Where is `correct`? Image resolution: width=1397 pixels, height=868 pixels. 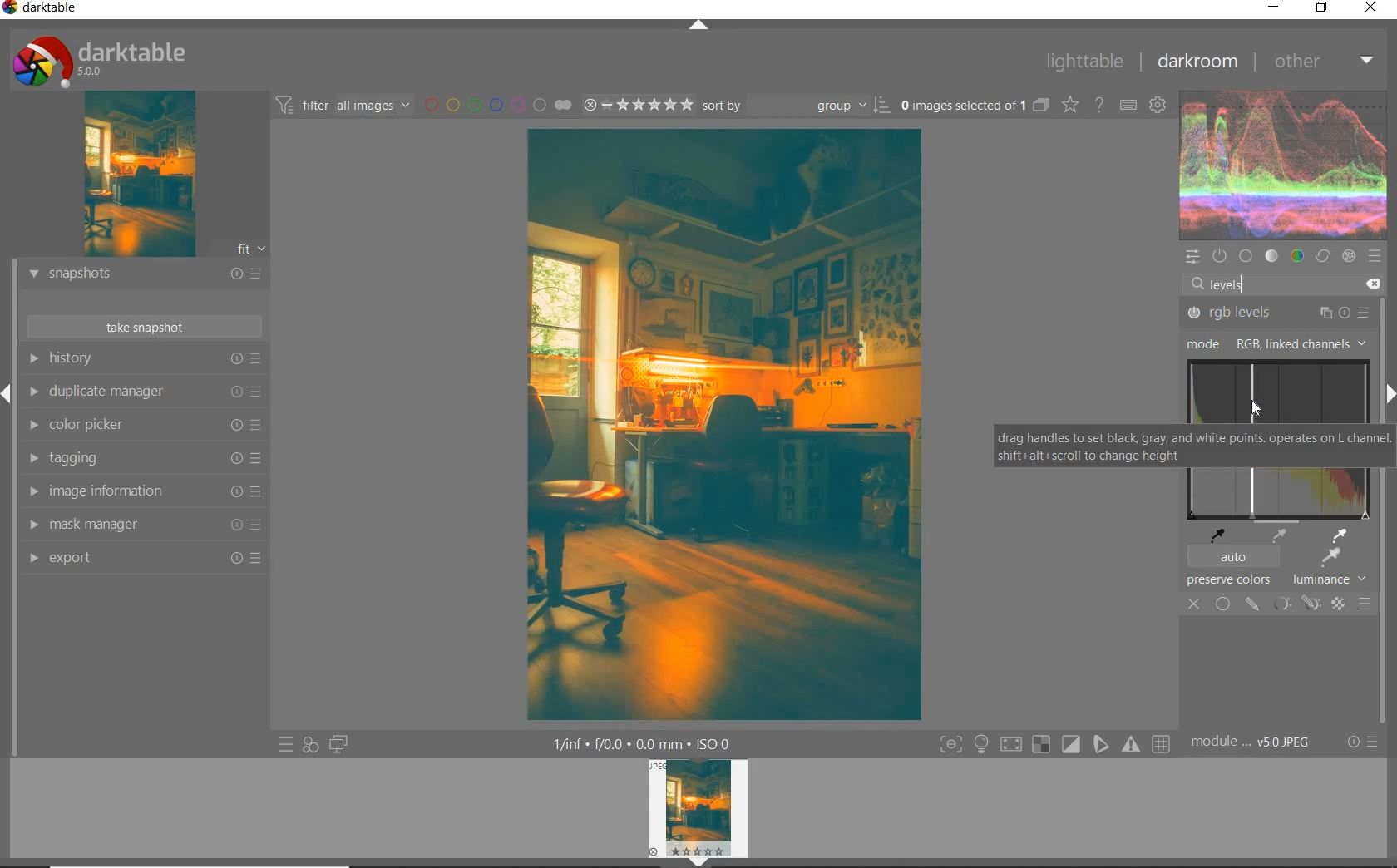
correct is located at coordinates (1323, 256).